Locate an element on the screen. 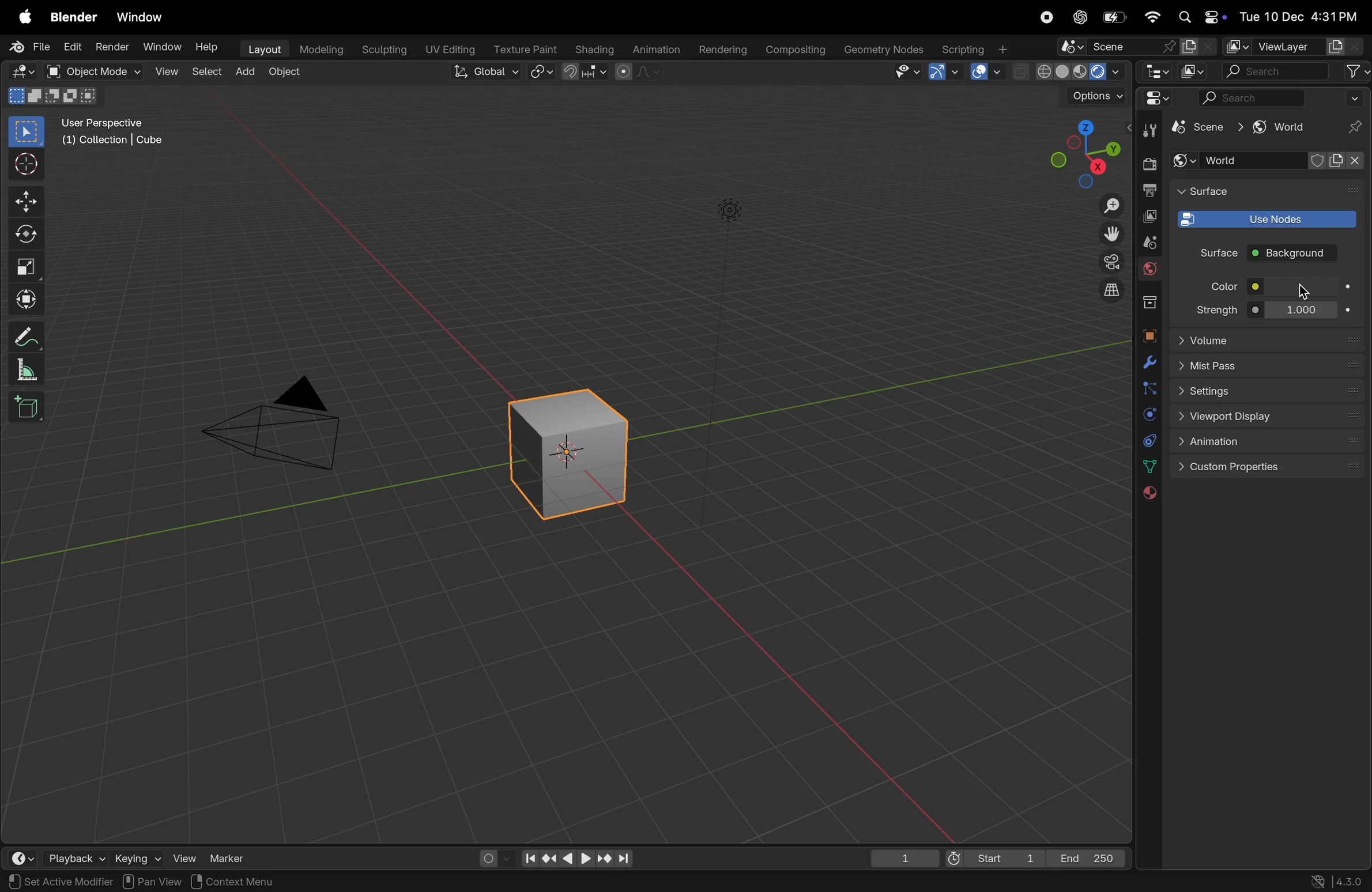  surface is located at coordinates (1213, 253).